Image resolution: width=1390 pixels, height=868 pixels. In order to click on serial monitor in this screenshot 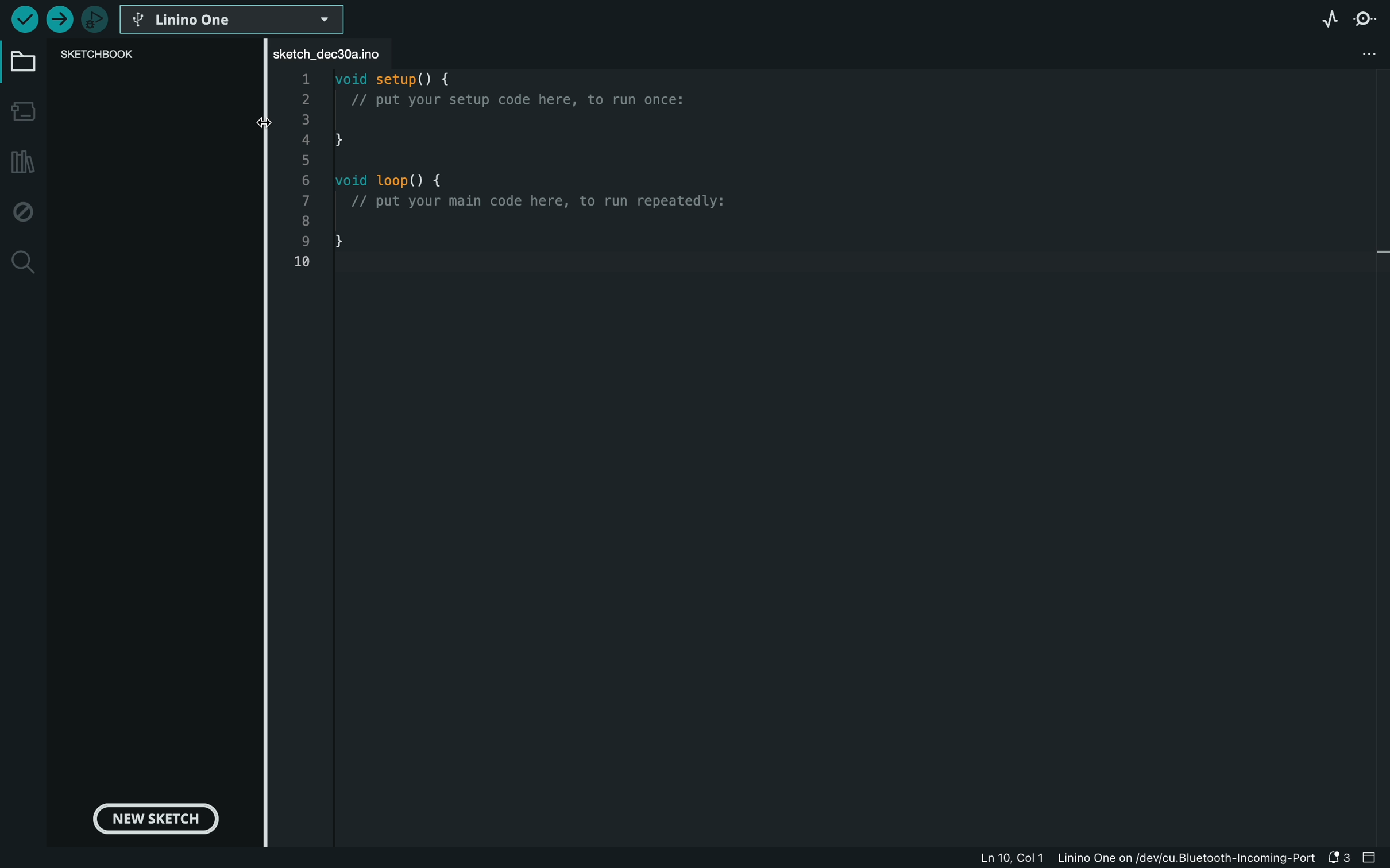, I will do `click(1364, 19)`.